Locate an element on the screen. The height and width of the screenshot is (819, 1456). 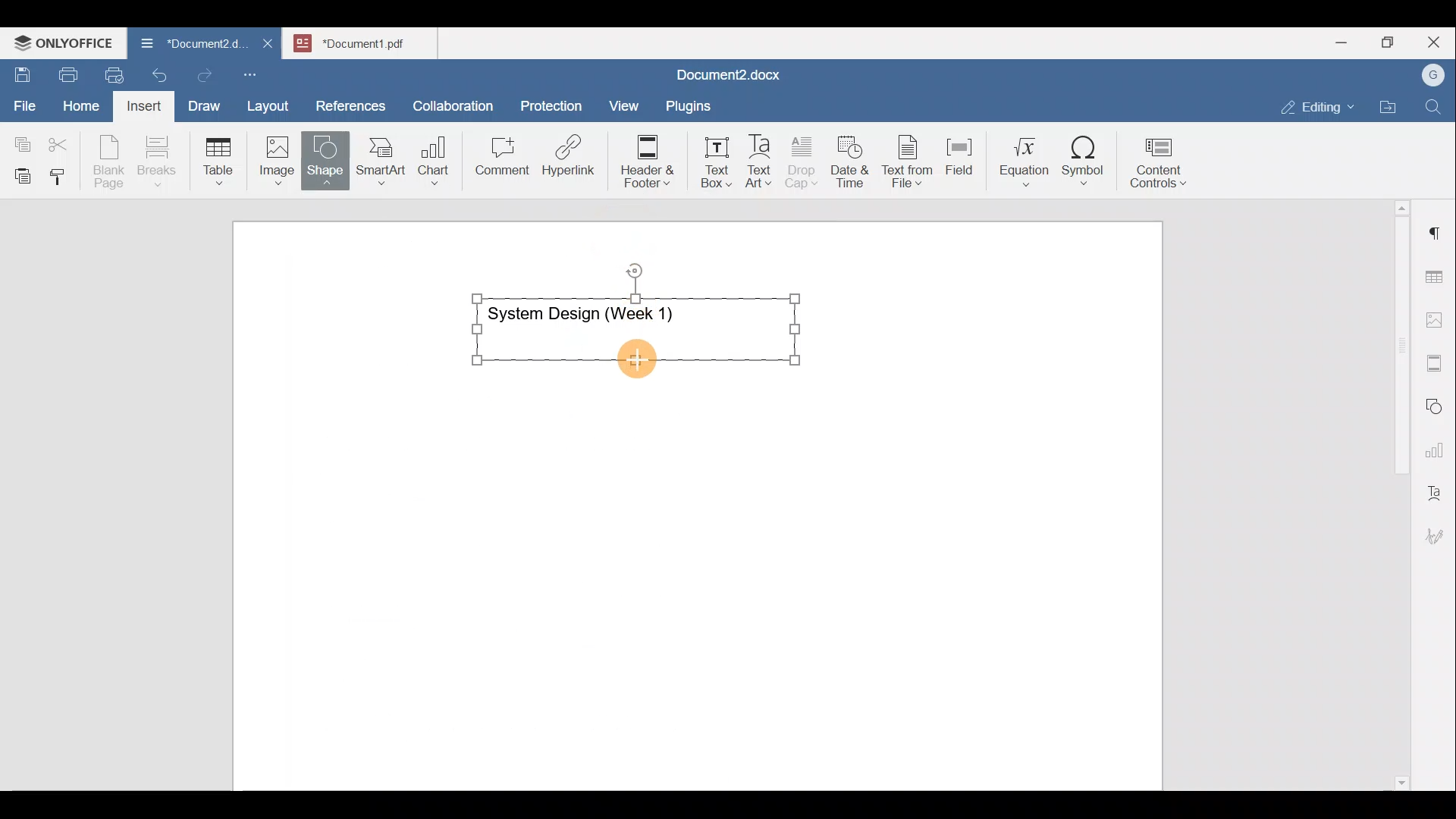
Minimize is located at coordinates (1341, 41).